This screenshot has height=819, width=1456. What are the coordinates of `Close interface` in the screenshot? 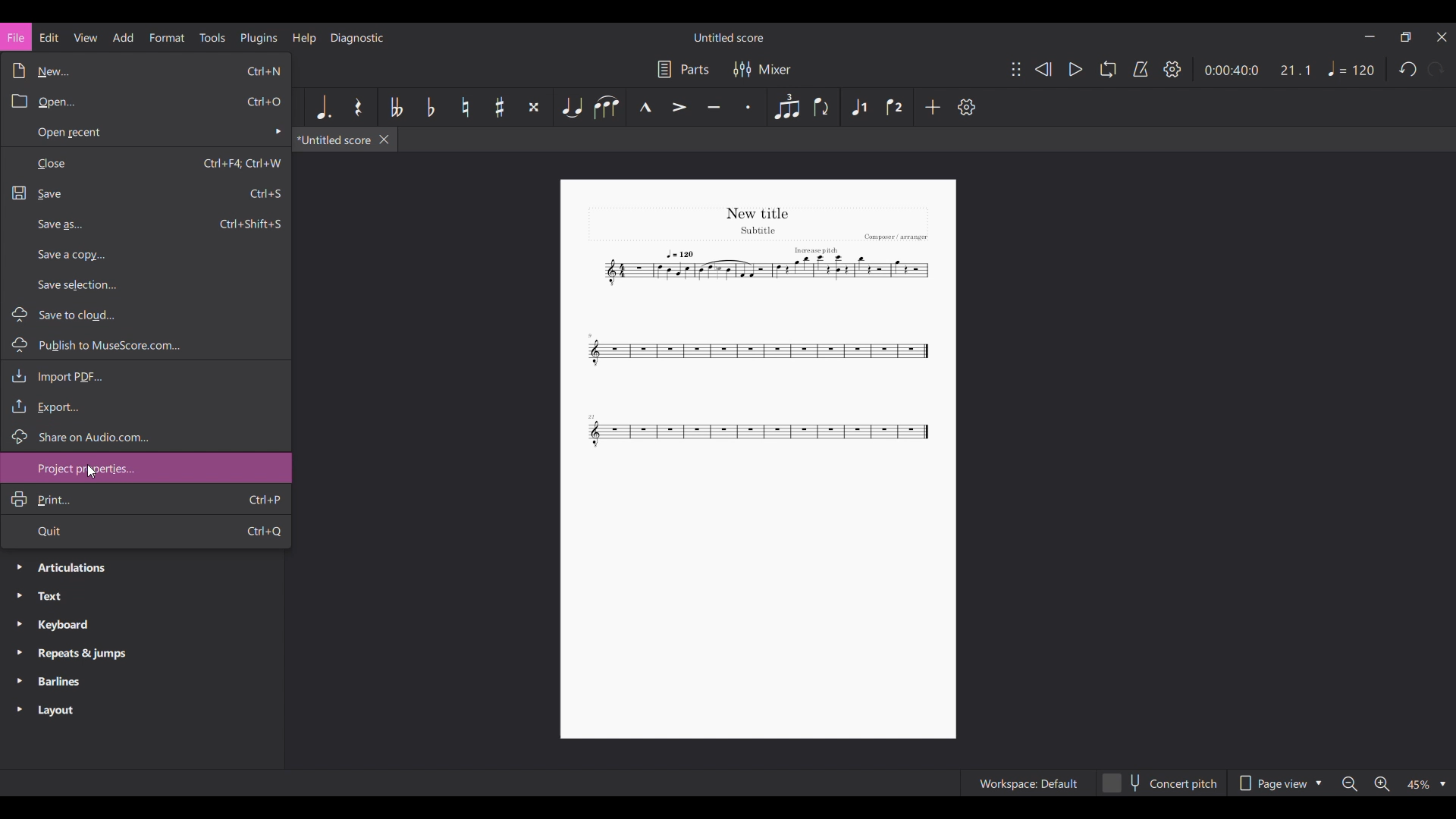 It's located at (1442, 37).